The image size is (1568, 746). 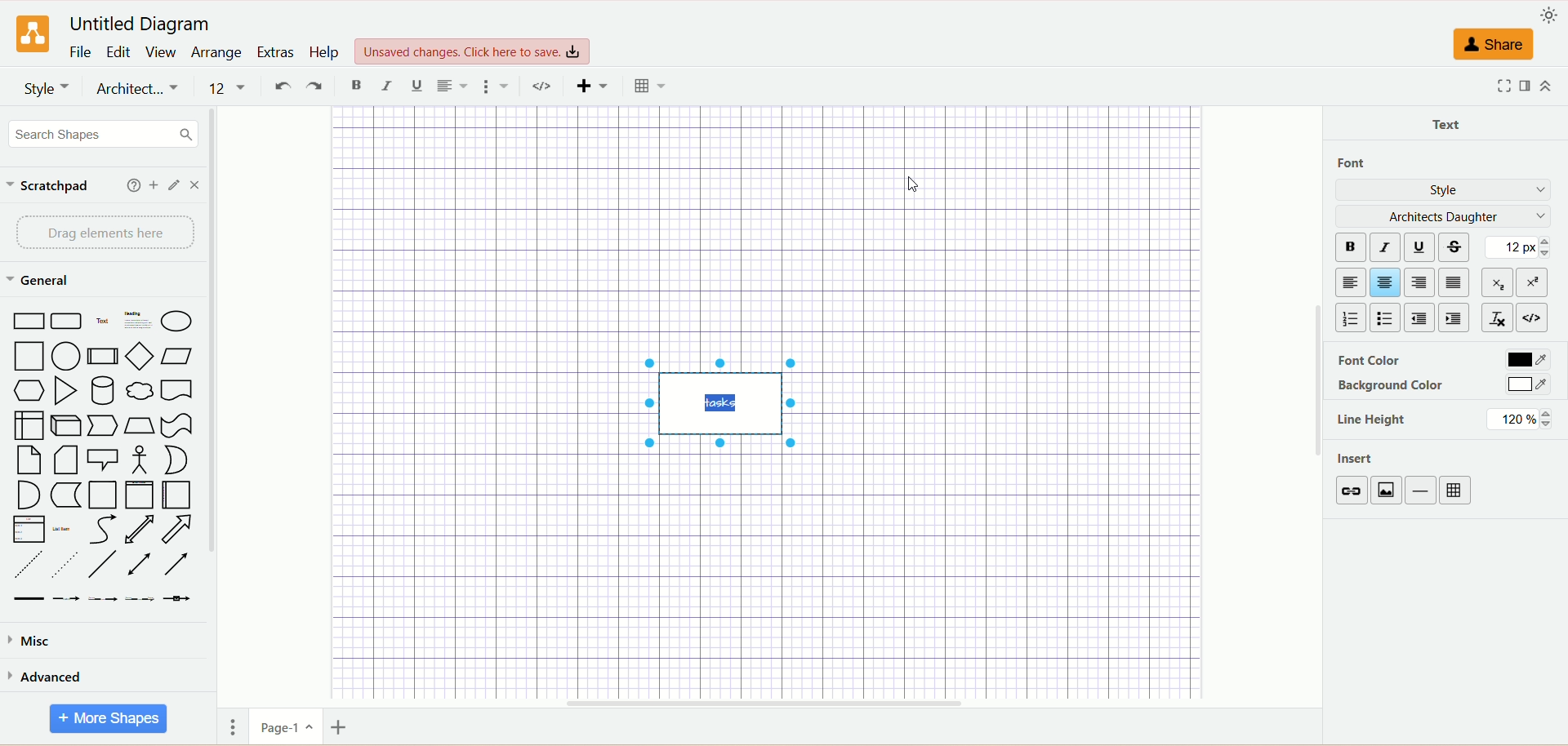 What do you see at coordinates (1423, 246) in the screenshot?
I see `underline` at bounding box center [1423, 246].